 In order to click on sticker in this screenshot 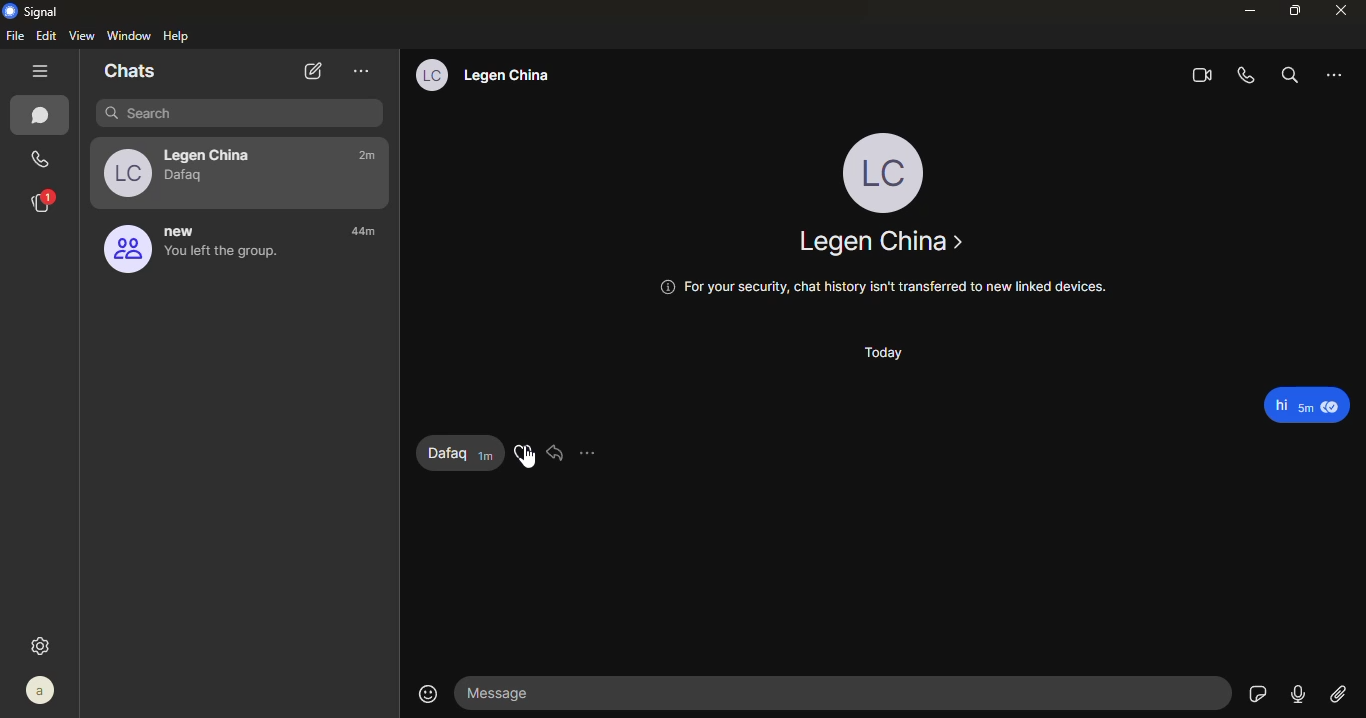, I will do `click(1257, 694)`.